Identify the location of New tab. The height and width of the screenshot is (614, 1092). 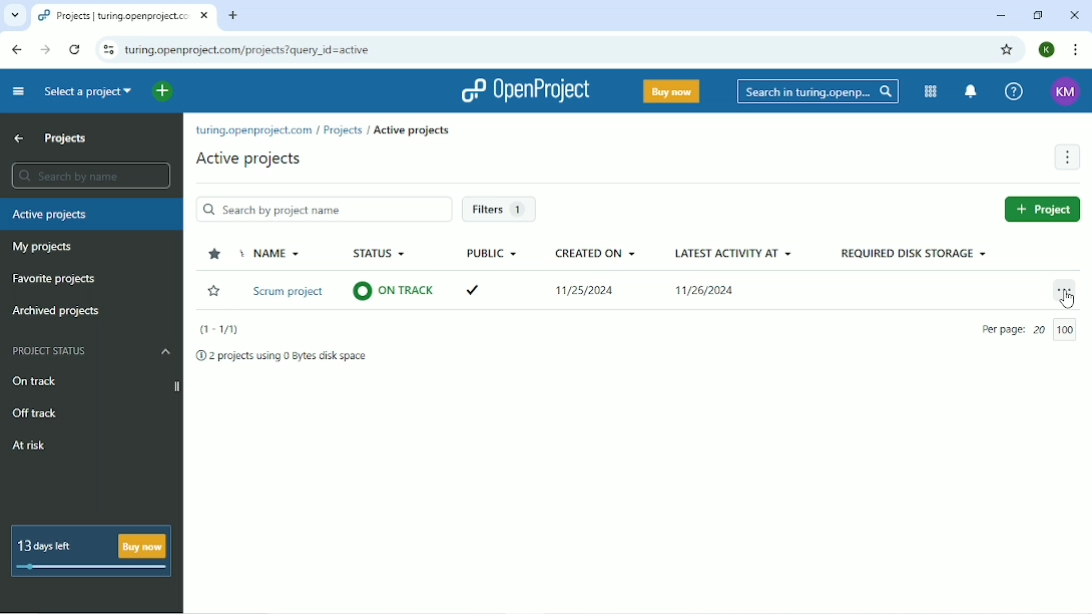
(233, 15).